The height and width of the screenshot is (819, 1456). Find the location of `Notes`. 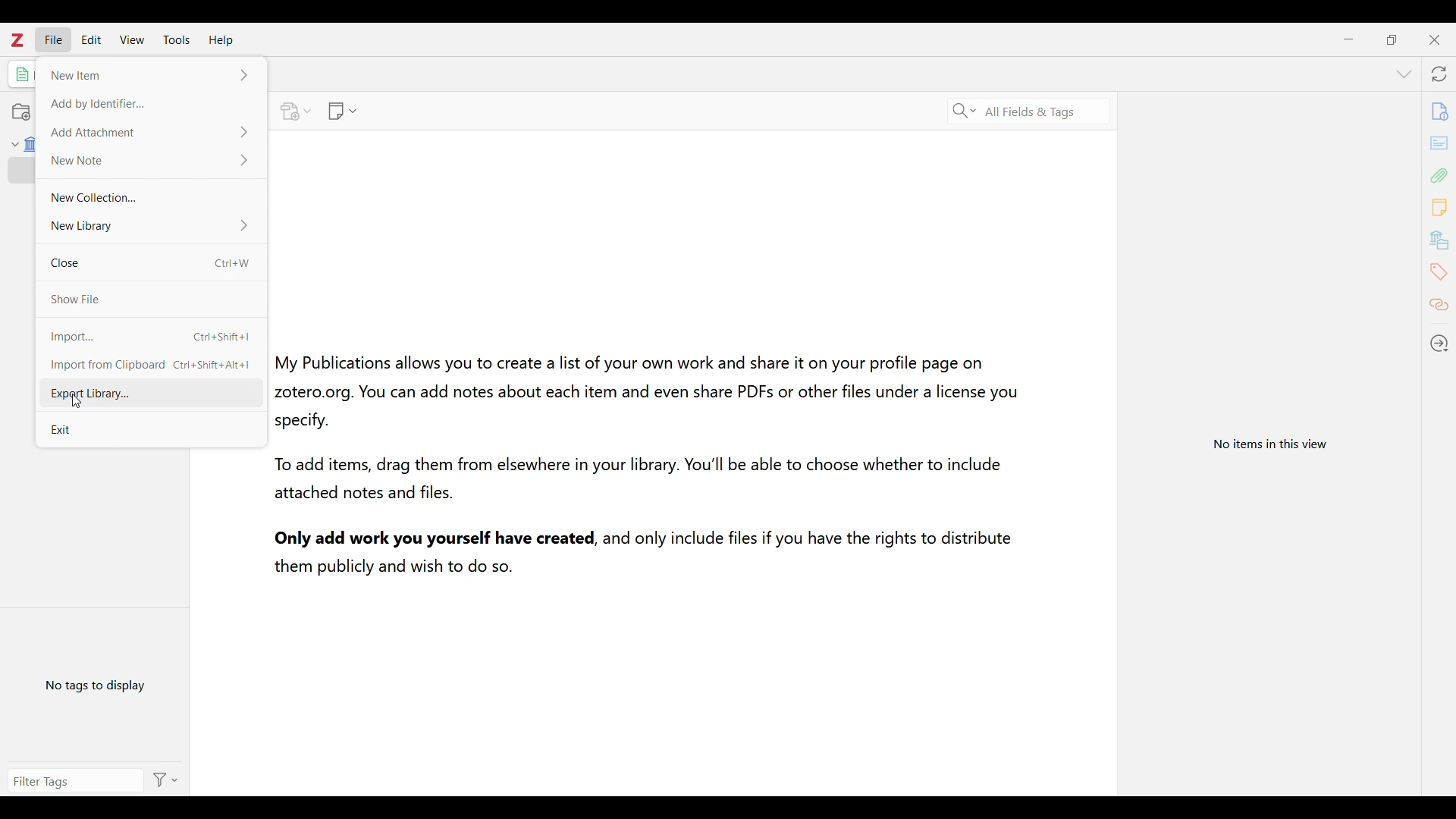

Notes is located at coordinates (1440, 207).